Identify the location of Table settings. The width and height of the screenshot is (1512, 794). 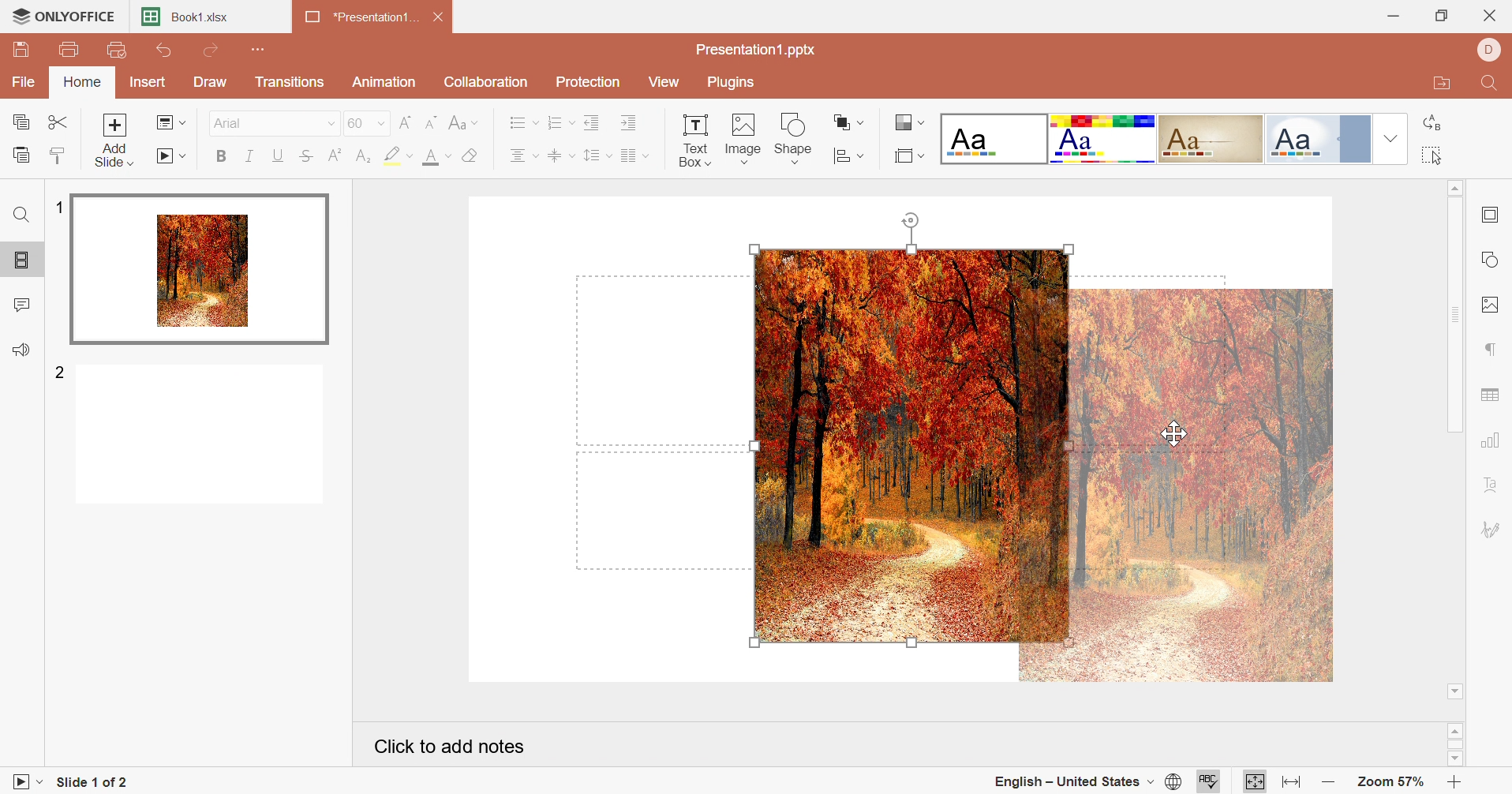
(1490, 395).